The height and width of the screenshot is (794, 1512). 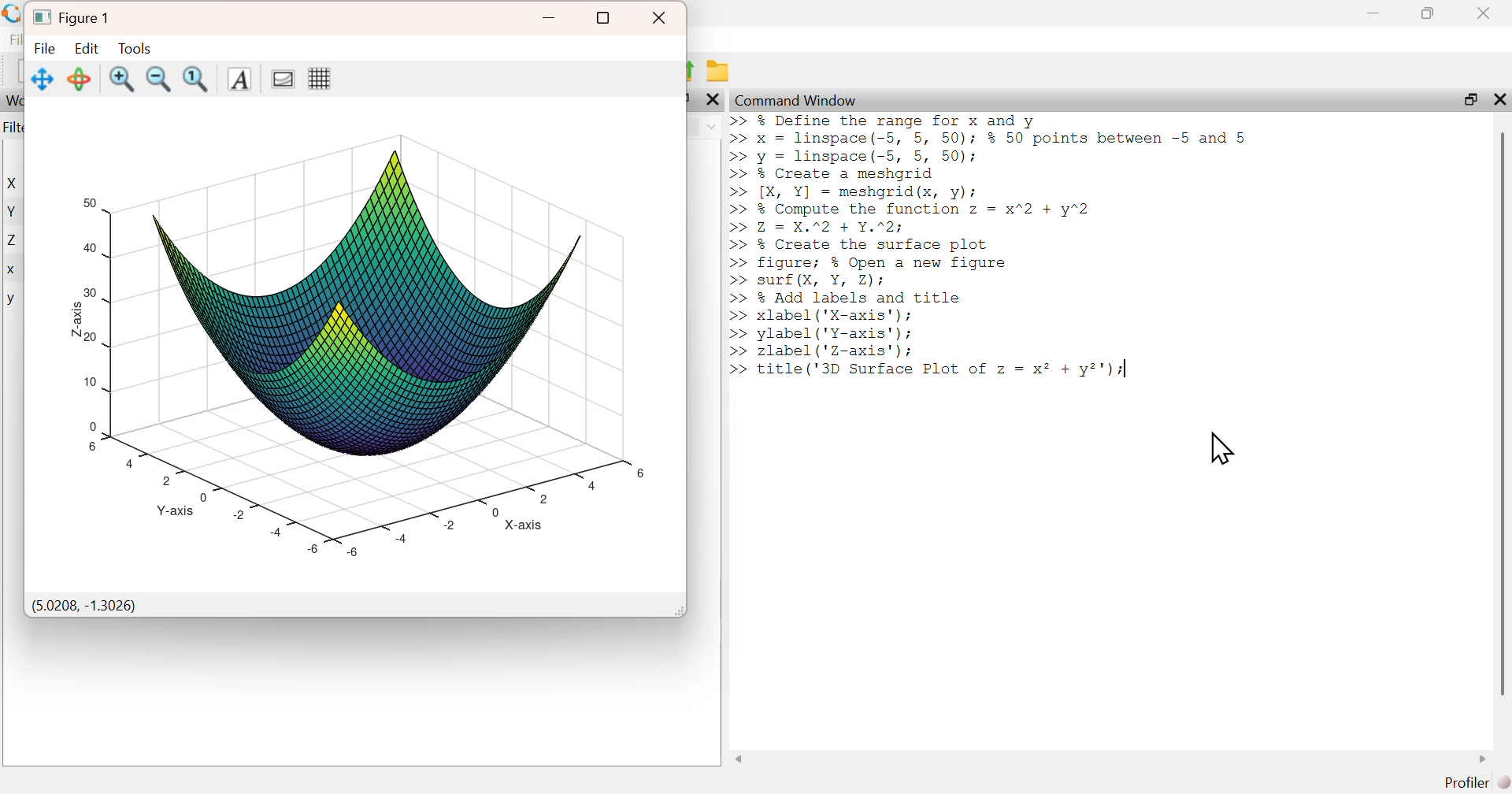 I want to click on Edit, so click(x=87, y=47).